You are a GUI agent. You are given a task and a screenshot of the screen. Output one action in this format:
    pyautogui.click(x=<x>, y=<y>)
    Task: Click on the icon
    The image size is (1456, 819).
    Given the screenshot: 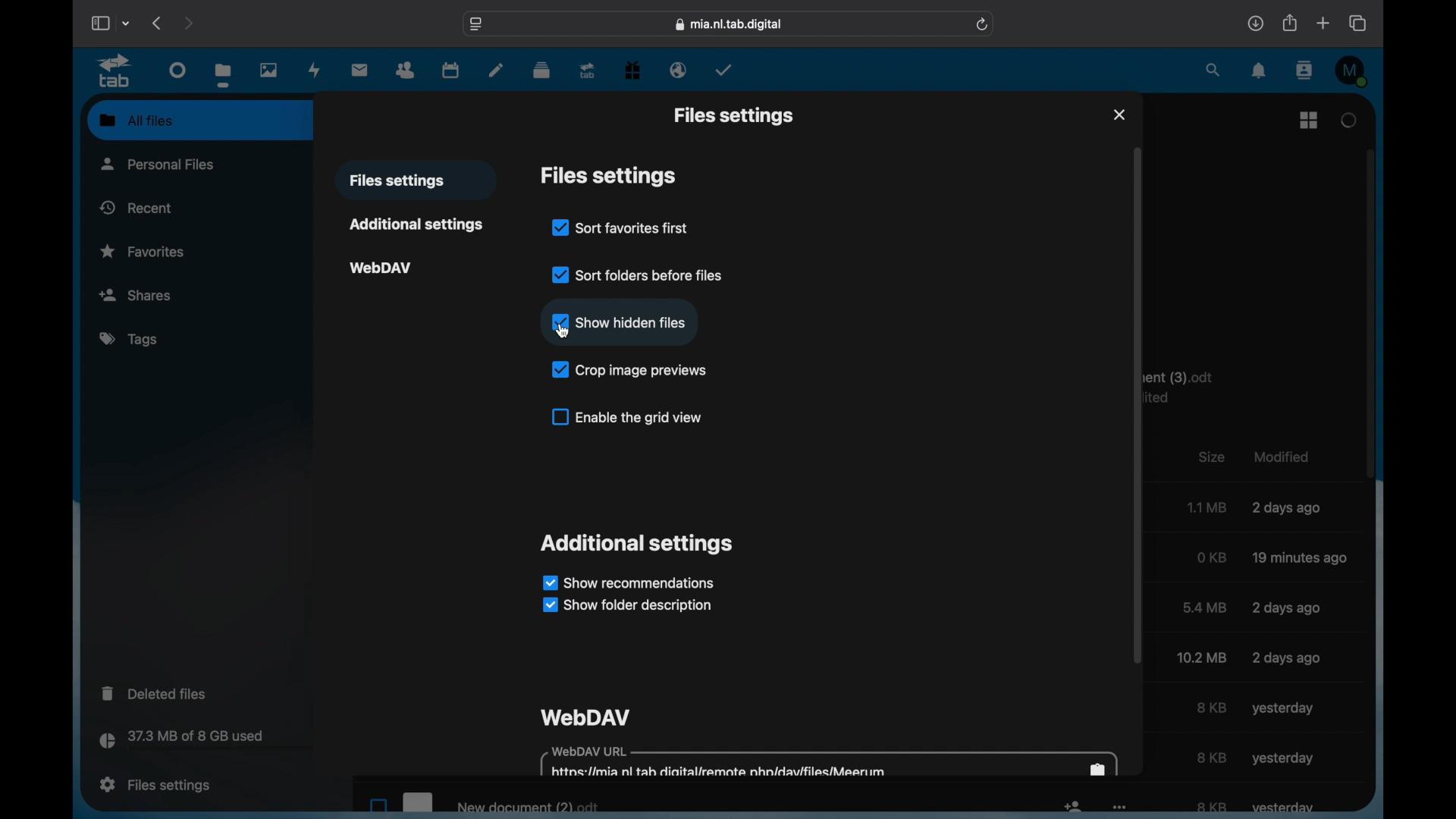 What is the action you would take?
    pyautogui.click(x=1073, y=806)
    